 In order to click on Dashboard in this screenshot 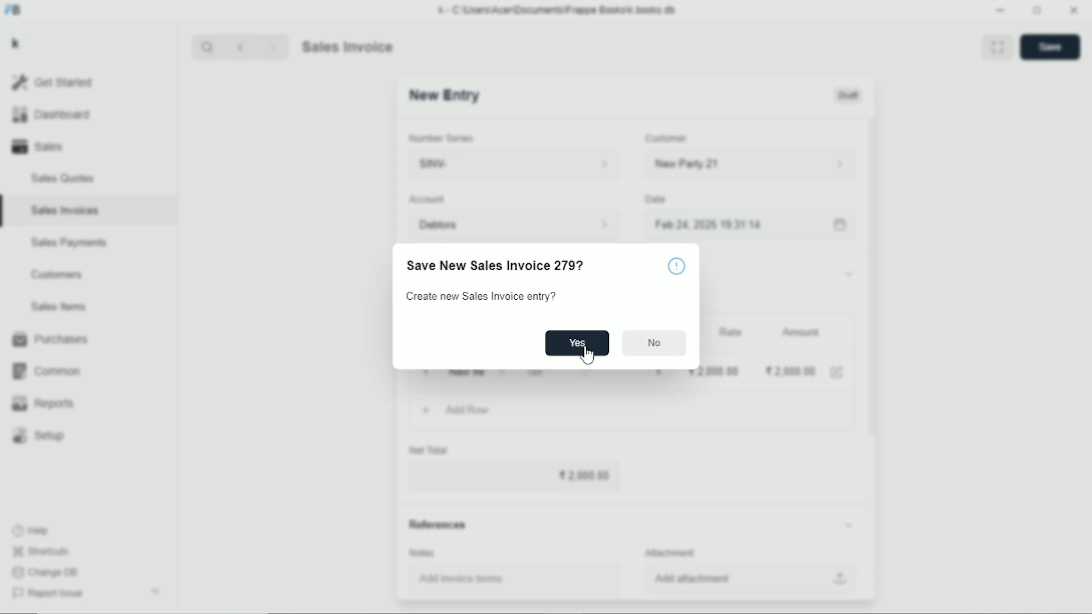, I will do `click(51, 114)`.